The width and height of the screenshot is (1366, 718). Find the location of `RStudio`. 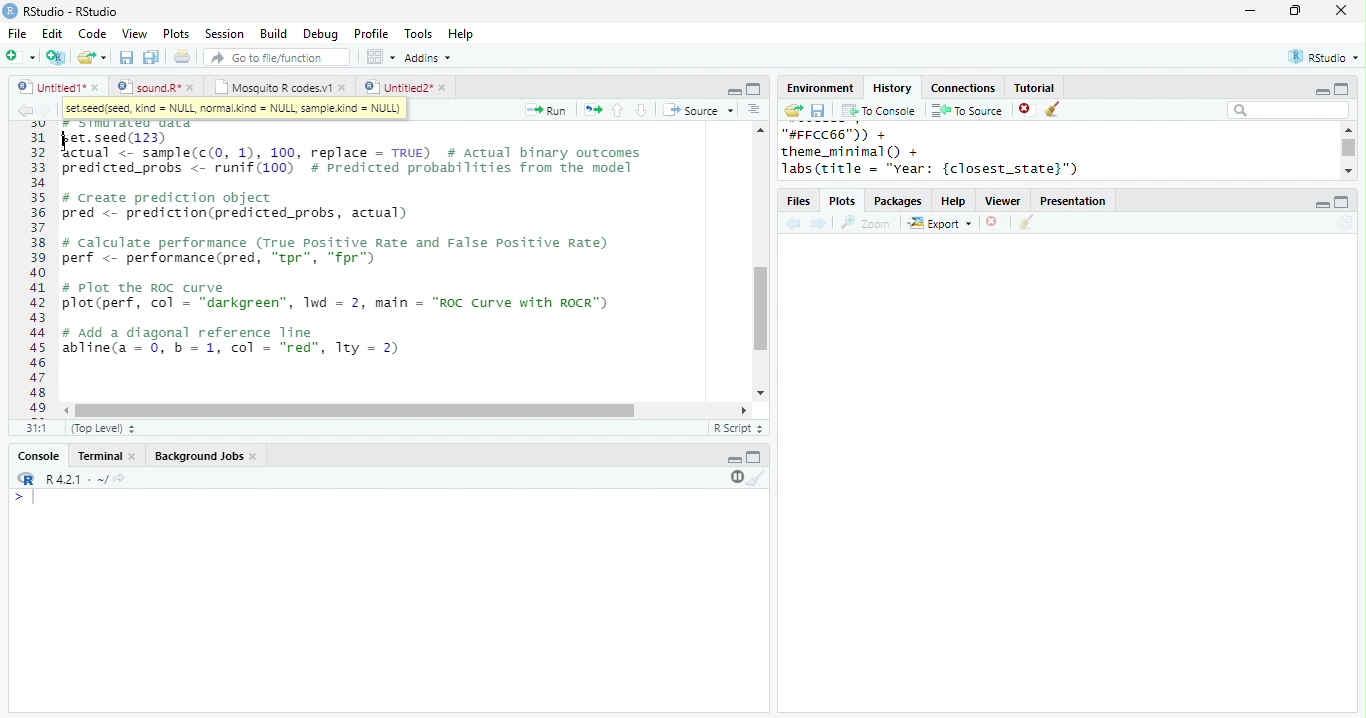

RStudio is located at coordinates (1326, 56).